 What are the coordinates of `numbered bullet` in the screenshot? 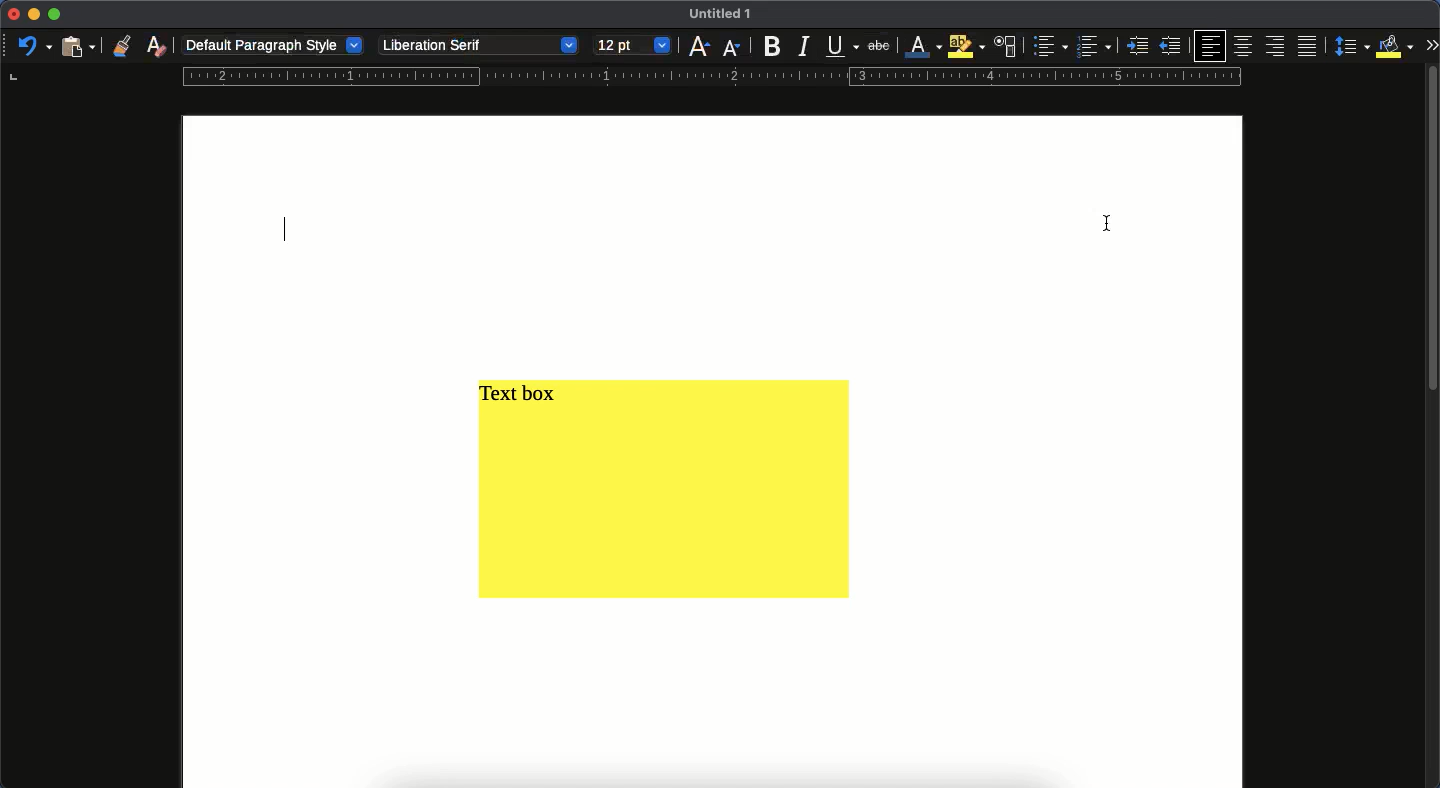 It's located at (1091, 47).